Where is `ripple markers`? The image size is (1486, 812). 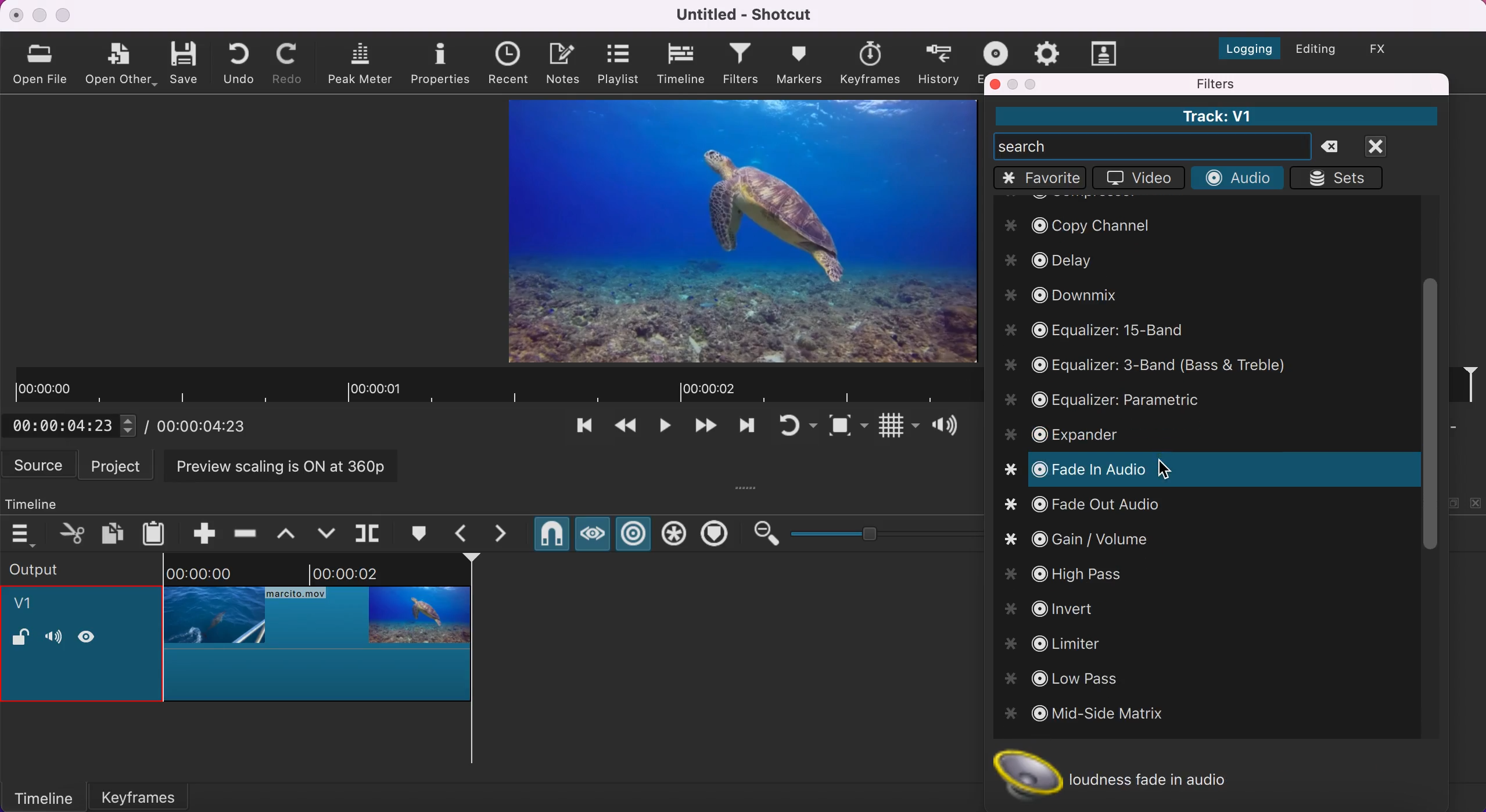
ripple markers is located at coordinates (717, 535).